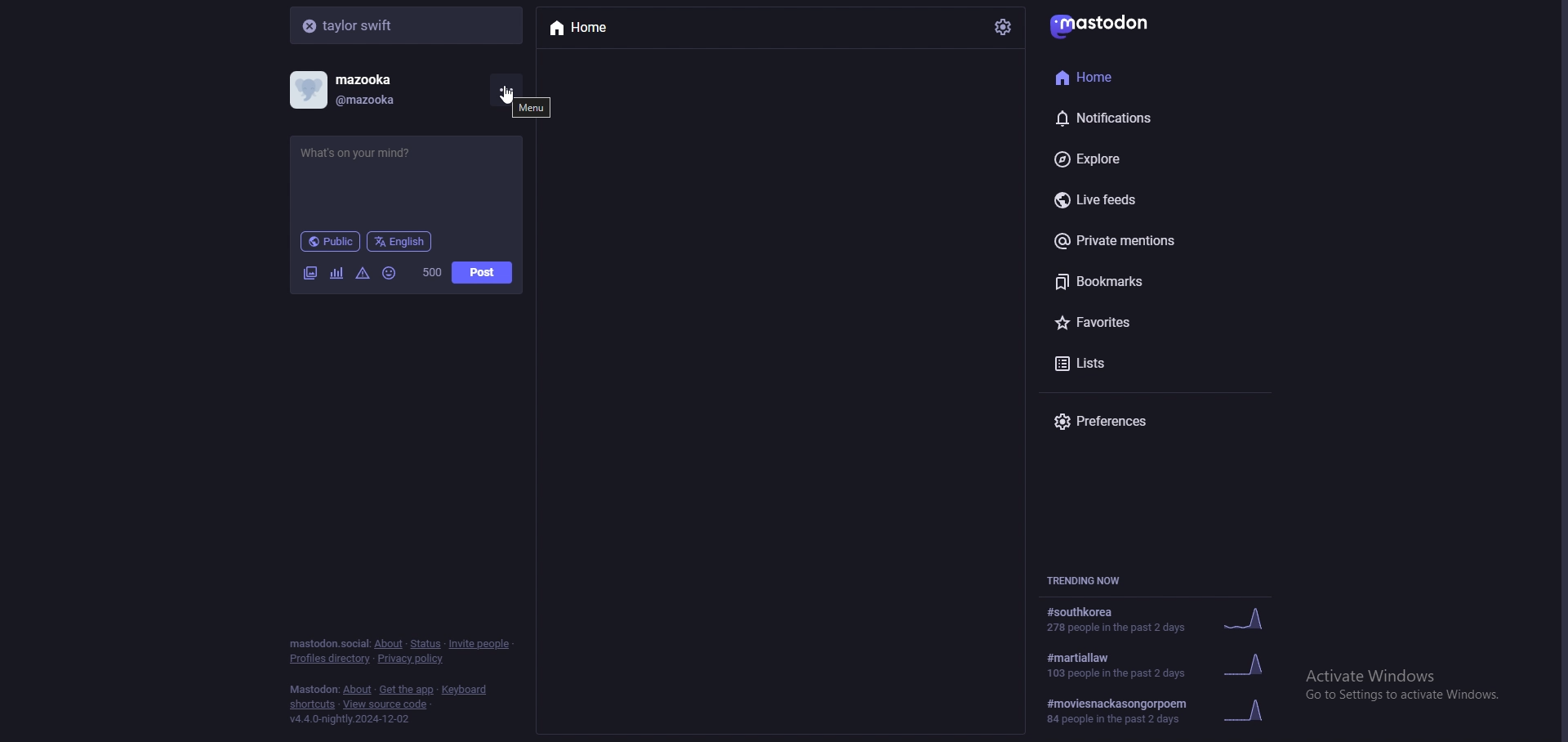 The width and height of the screenshot is (1568, 742). Describe the element at coordinates (586, 26) in the screenshot. I see `home` at that location.